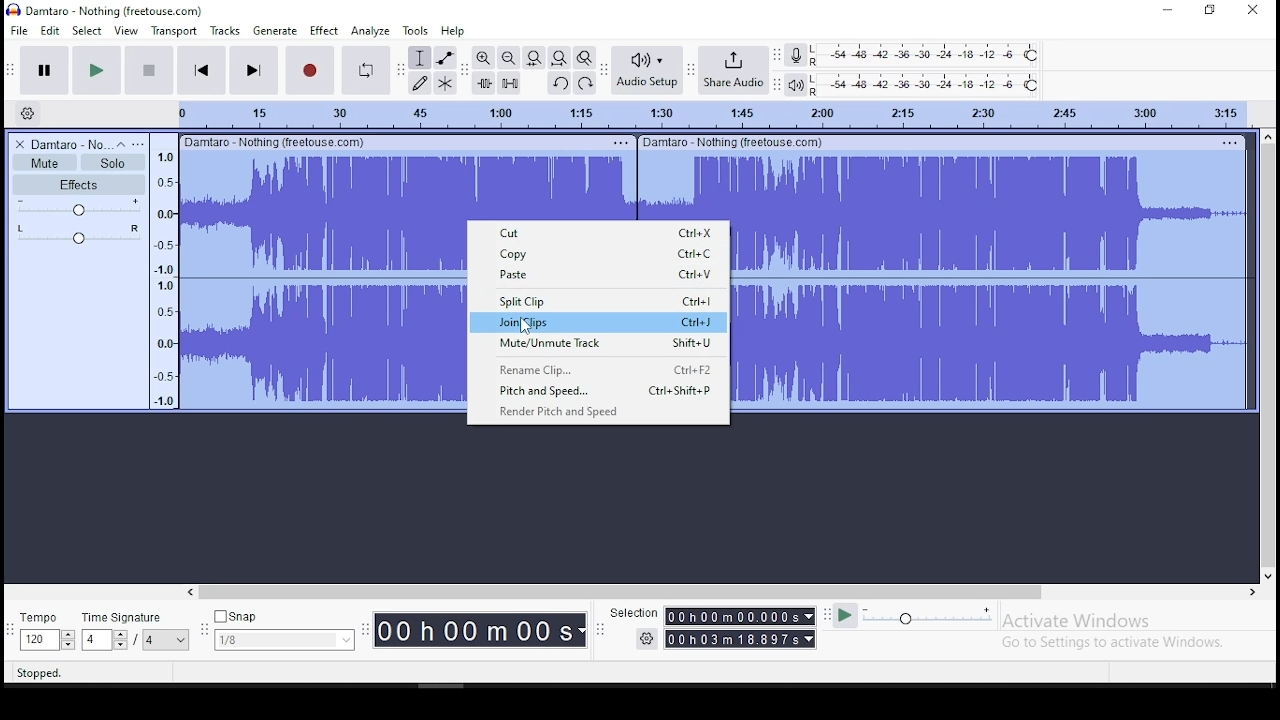 This screenshot has height=720, width=1280. Describe the element at coordinates (1251, 592) in the screenshot. I see `scroll right` at that location.